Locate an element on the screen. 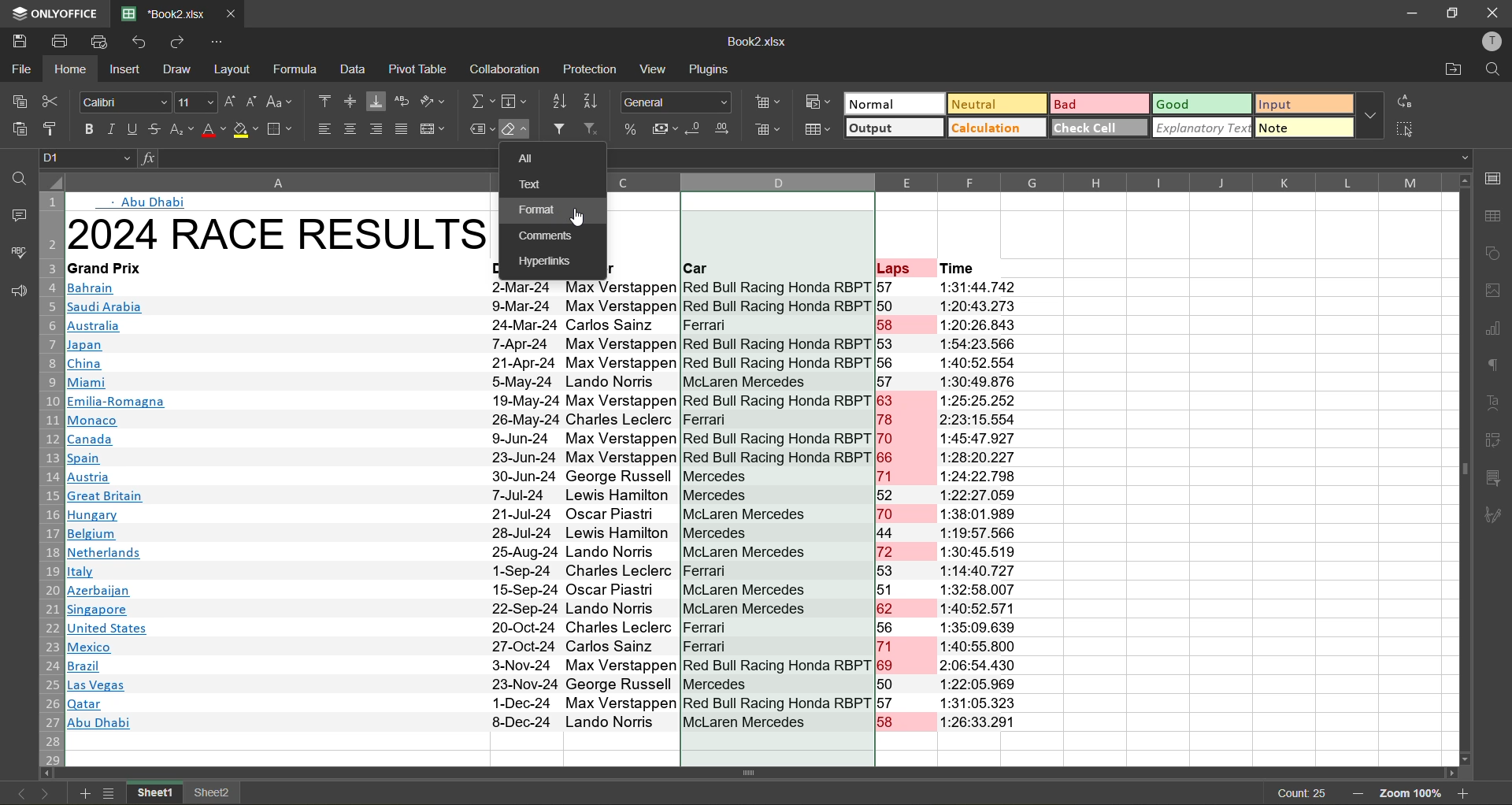 The width and height of the screenshot is (1512, 805). IB razil 3-Nov-24 Max Verstappen Red Bull Racing Honda RBPT 69 2:06:54.430 is located at coordinates (543, 667).